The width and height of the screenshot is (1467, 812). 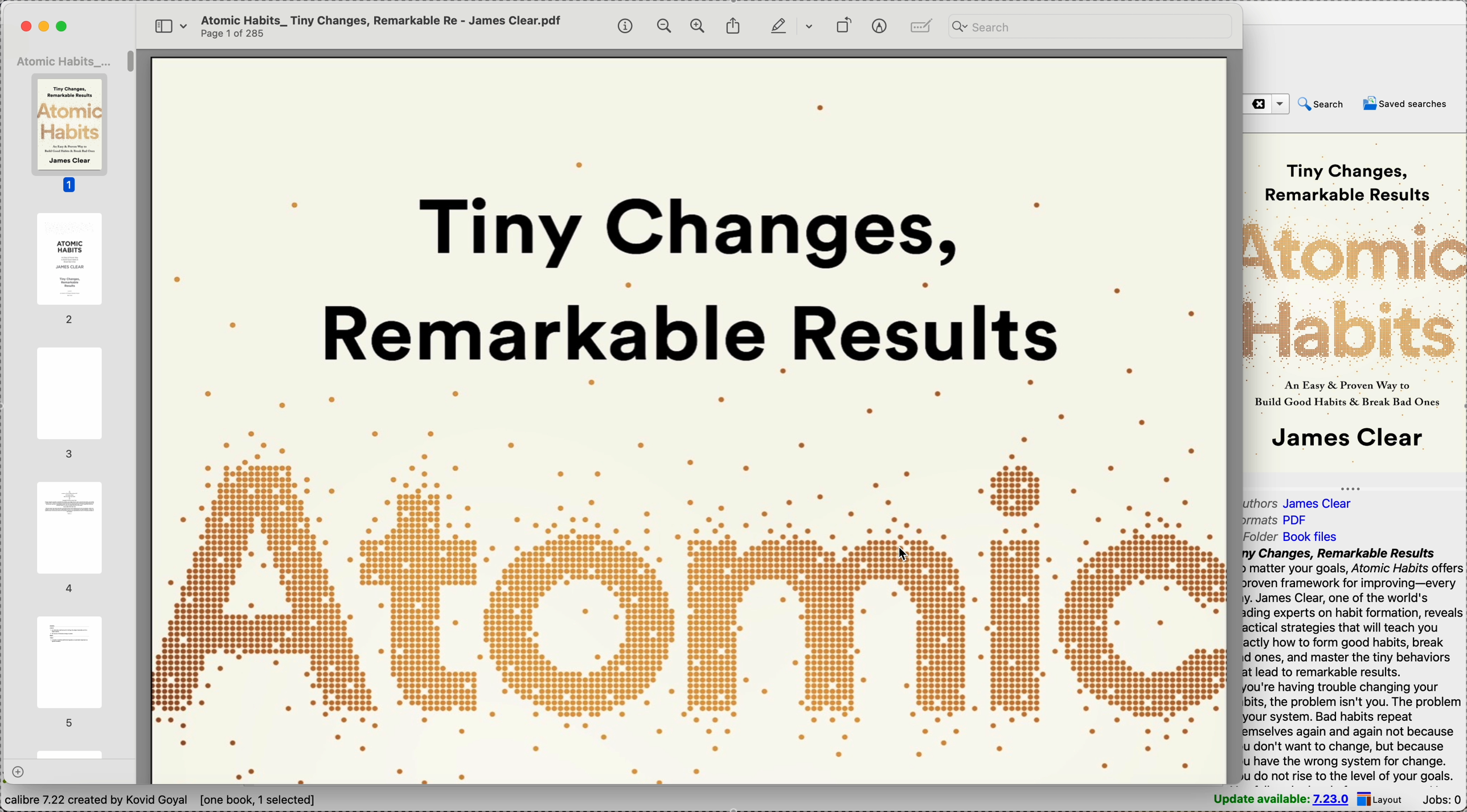 What do you see at coordinates (65, 60) in the screenshot?
I see `book name` at bounding box center [65, 60].